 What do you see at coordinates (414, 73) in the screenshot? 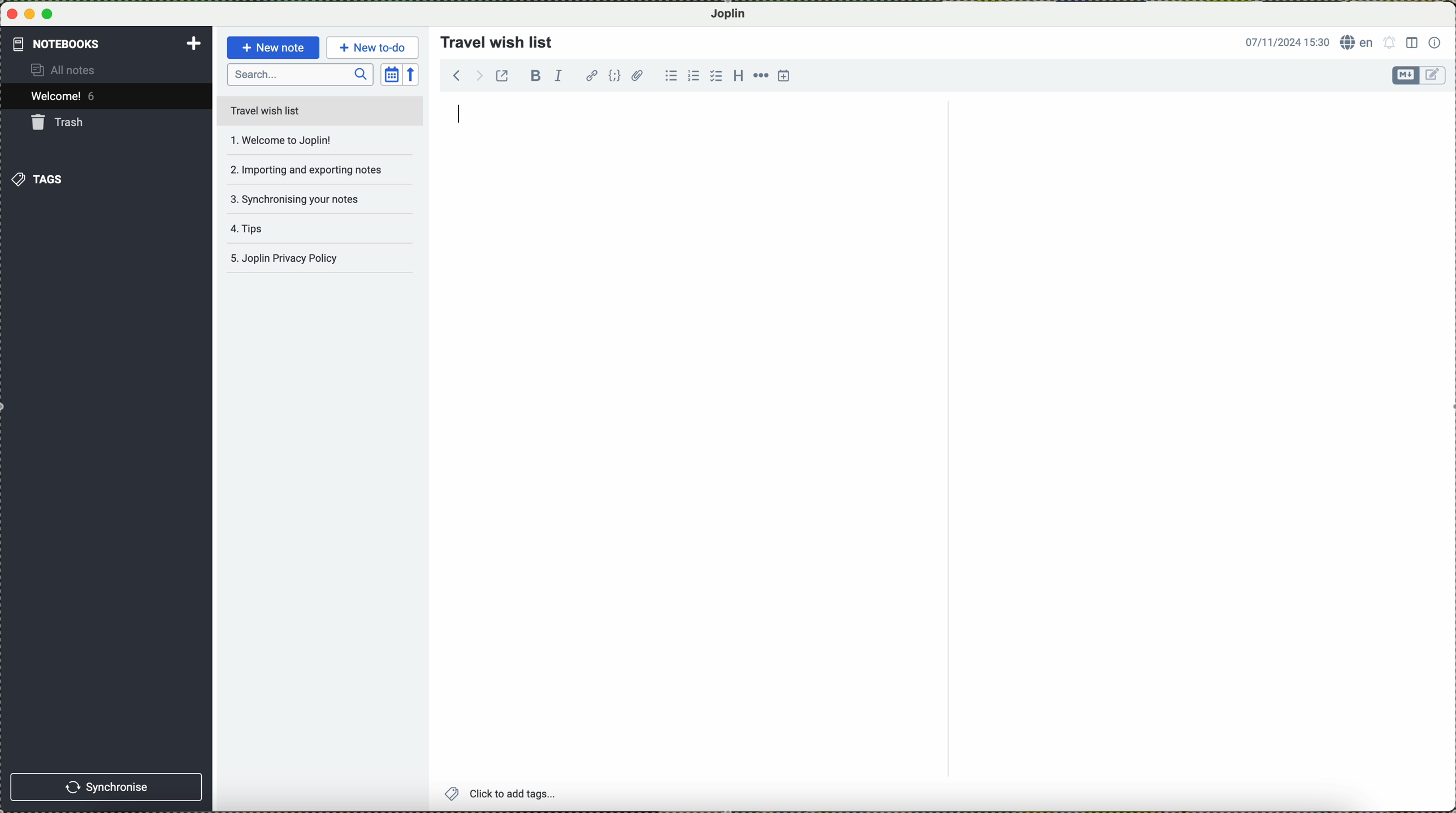
I see `reverse sort order` at bounding box center [414, 73].